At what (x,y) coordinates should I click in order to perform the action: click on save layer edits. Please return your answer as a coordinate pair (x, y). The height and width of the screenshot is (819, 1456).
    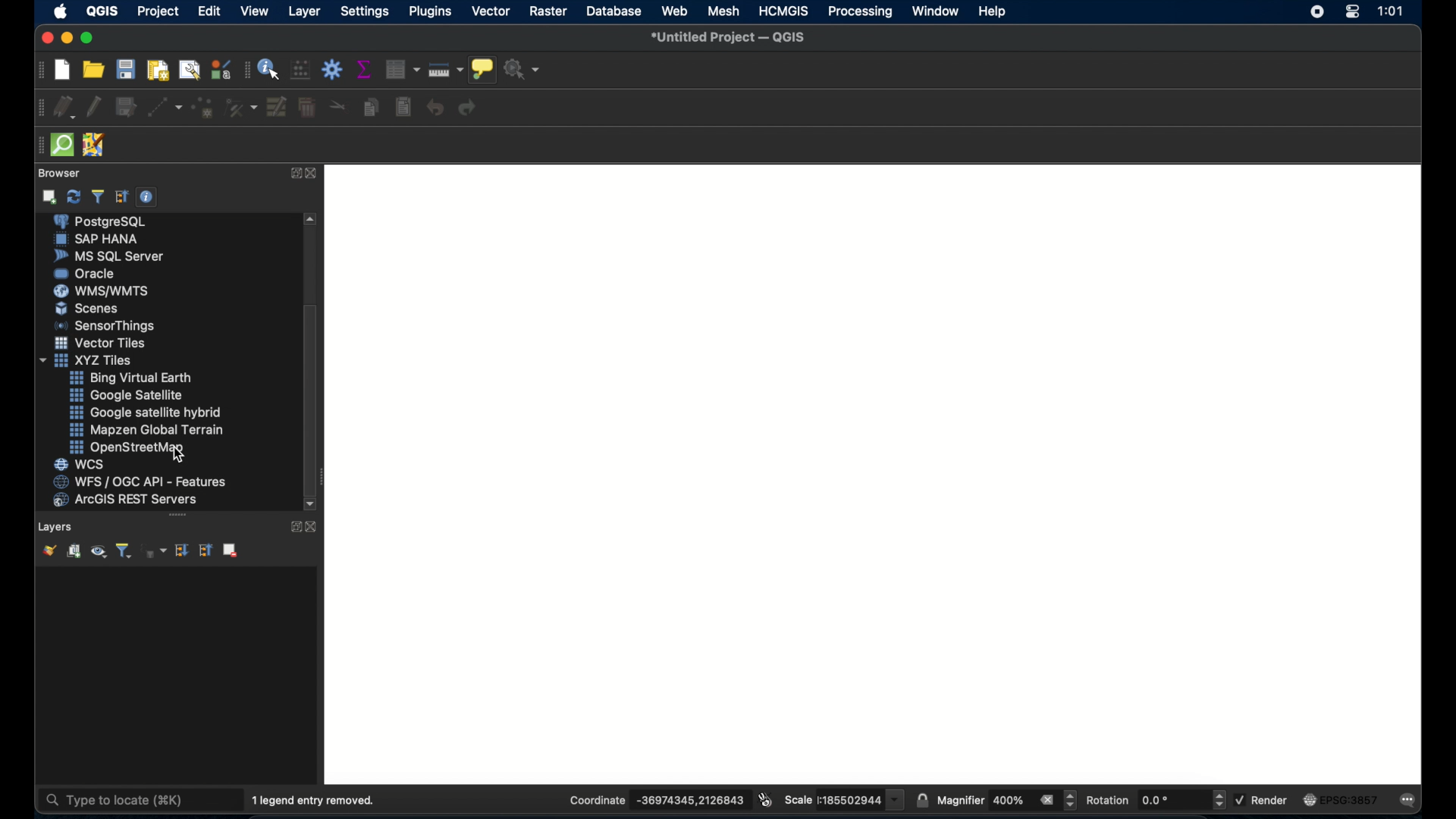
    Looking at the image, I should click on (127, 108).